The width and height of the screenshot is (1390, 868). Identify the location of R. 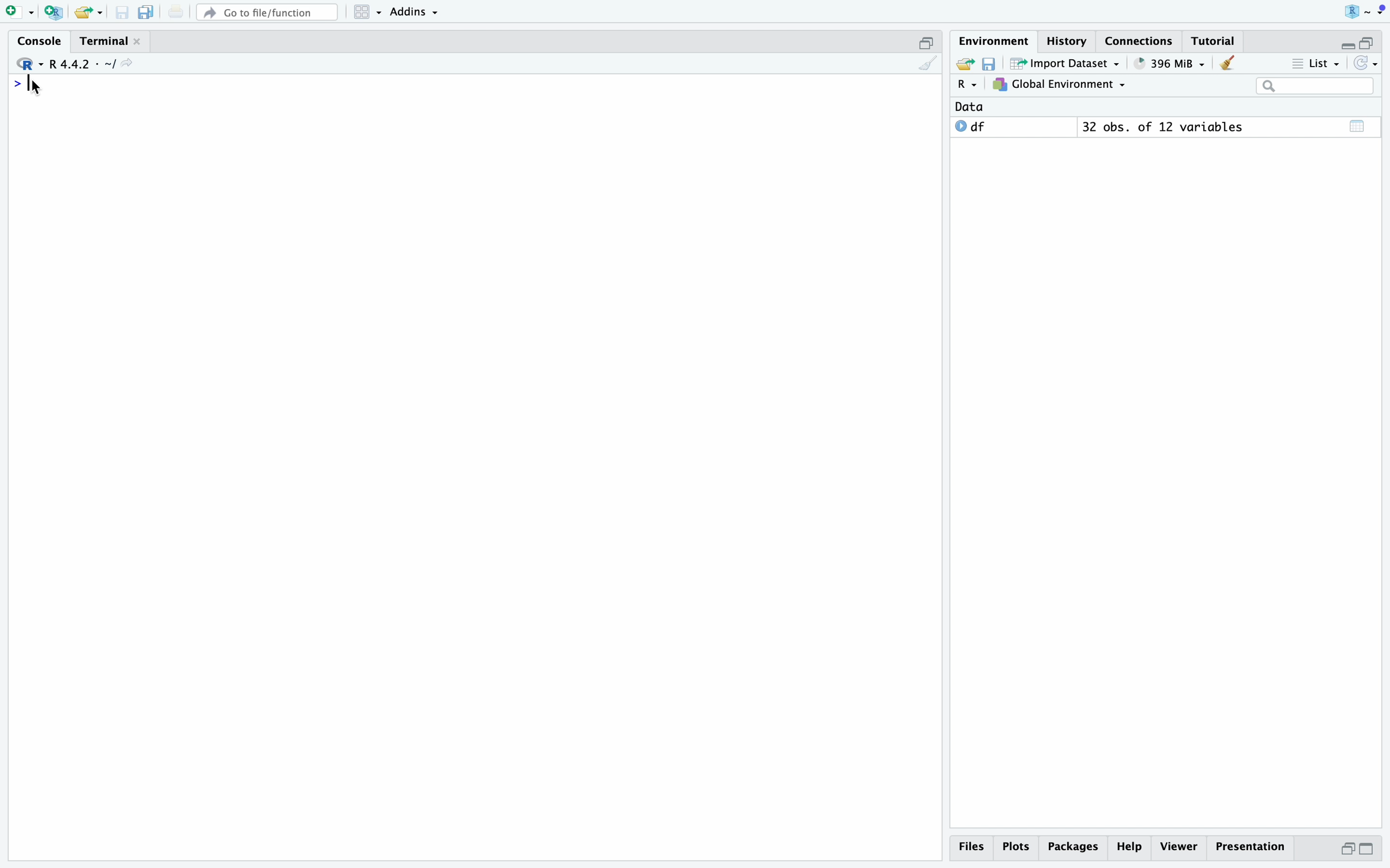
(969, 85).